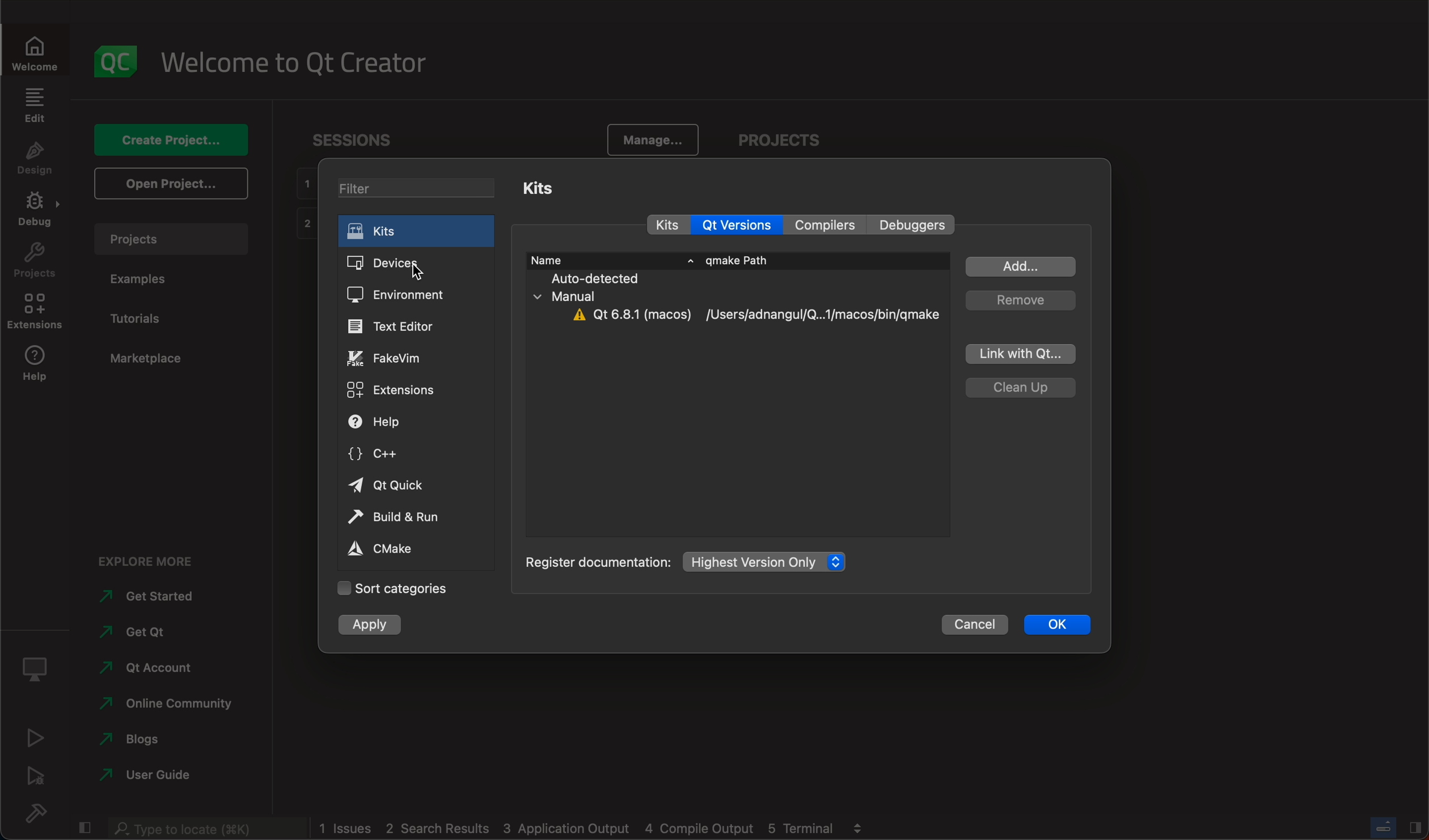 The width and height of the screenshot is (1429, 840). Describe the element at coordinates (412, 326) in the screenshot. I see `text editor` at that location.